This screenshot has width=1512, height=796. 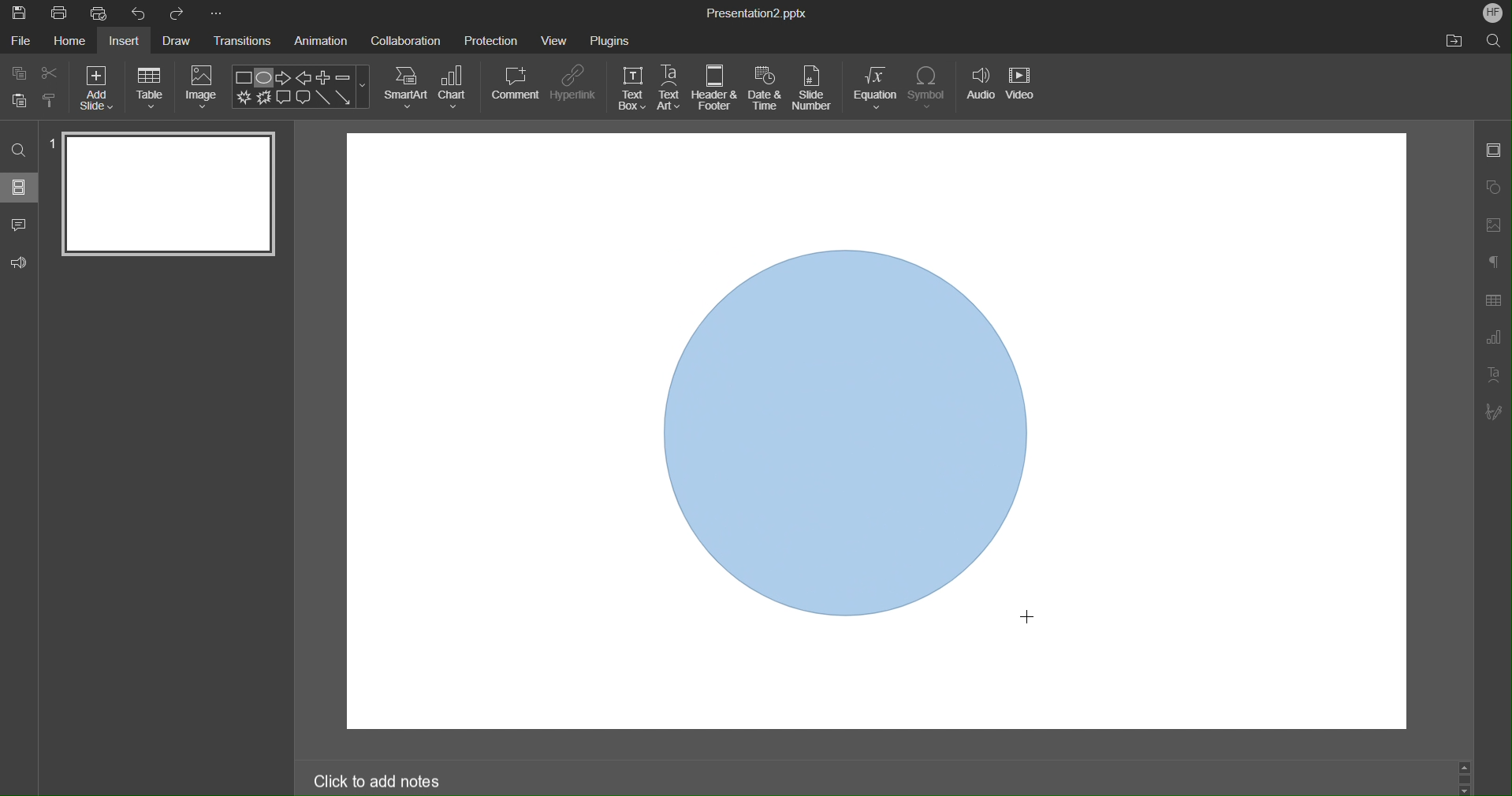 What do you see at coordinates (979, 90) in the screenshot?
I see `Audio` at bounding box center [979, 90].